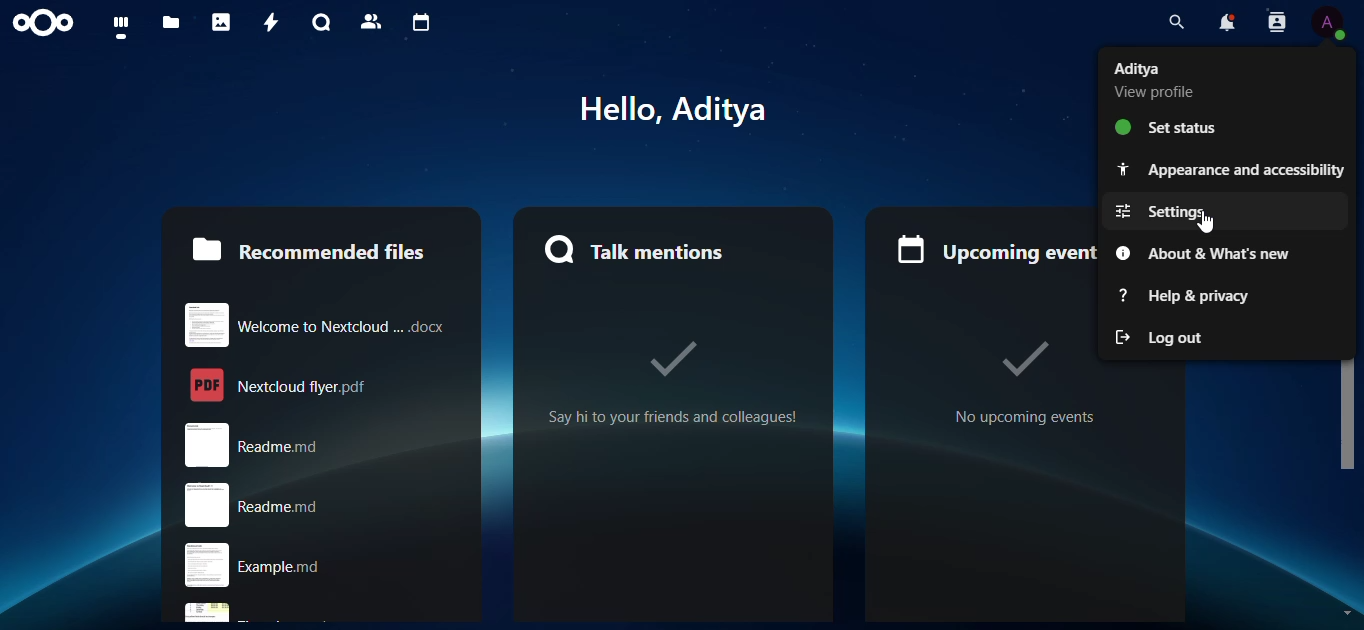 This screenshot has width=1364, height=630. Describe the element at coordinates (1189, 296) in the screenshot. I see `help` at that location.